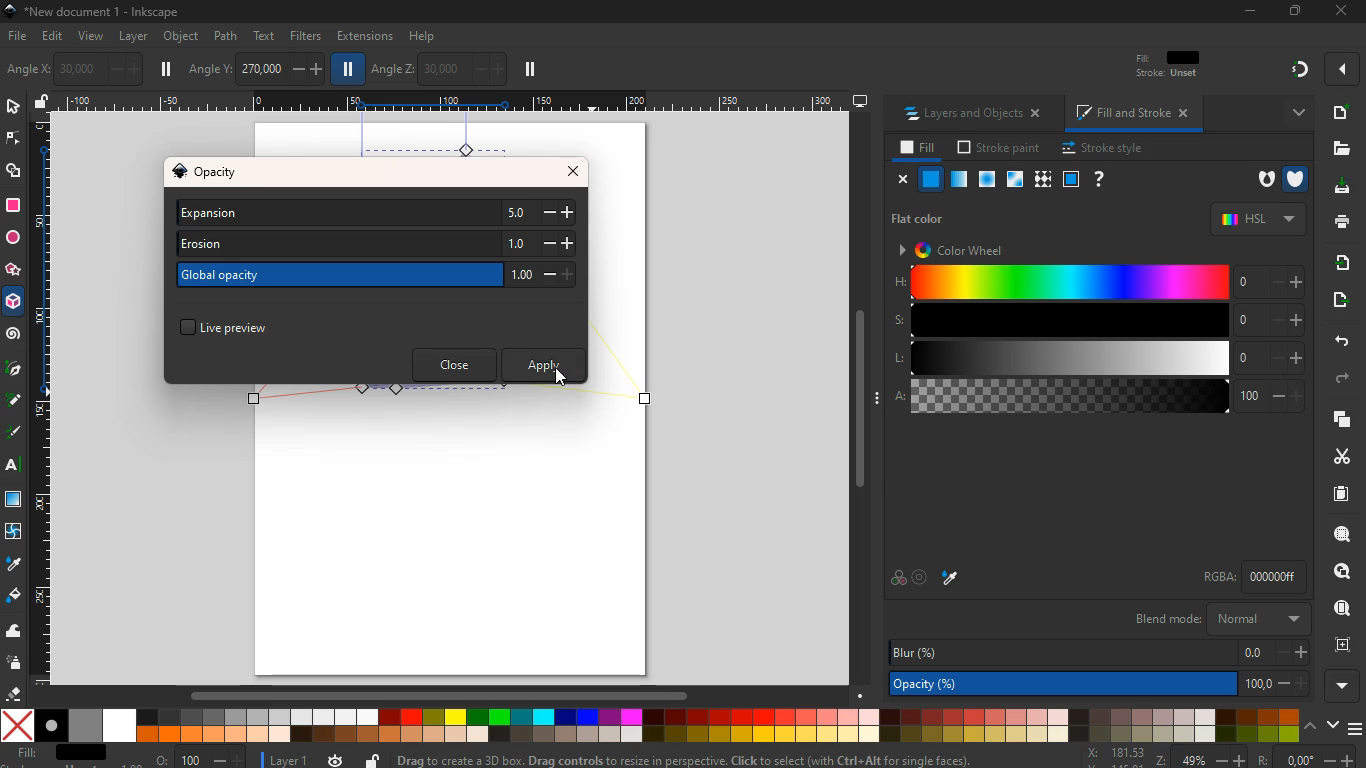 The height and width of the screenshot is (768, 1366). Describe the element at coordinates (266, 35) in the screenshot. I see `text` at that location.